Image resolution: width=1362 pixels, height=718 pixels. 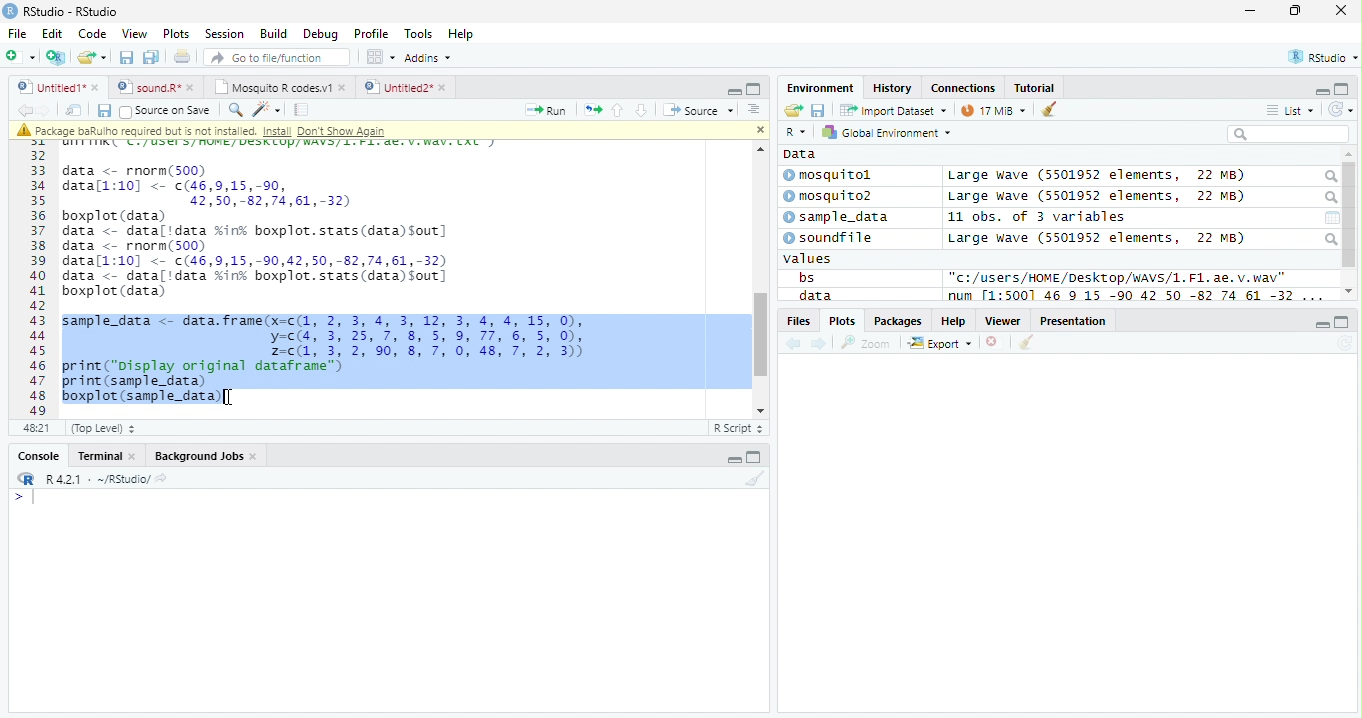 I want to click on Debug, so click(x=319, y=34).